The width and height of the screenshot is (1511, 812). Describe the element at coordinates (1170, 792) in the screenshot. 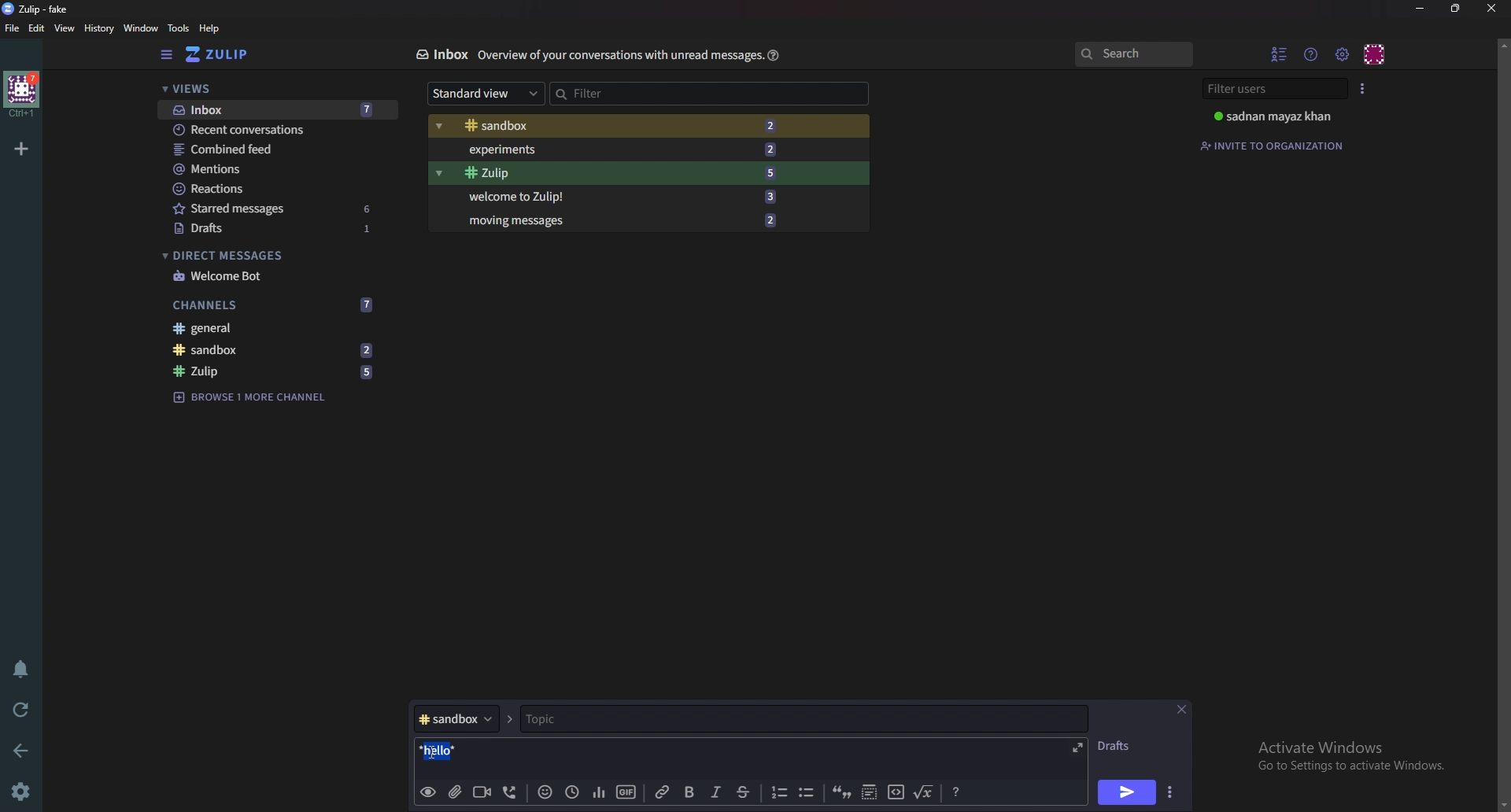

I see `Send options` at that location.